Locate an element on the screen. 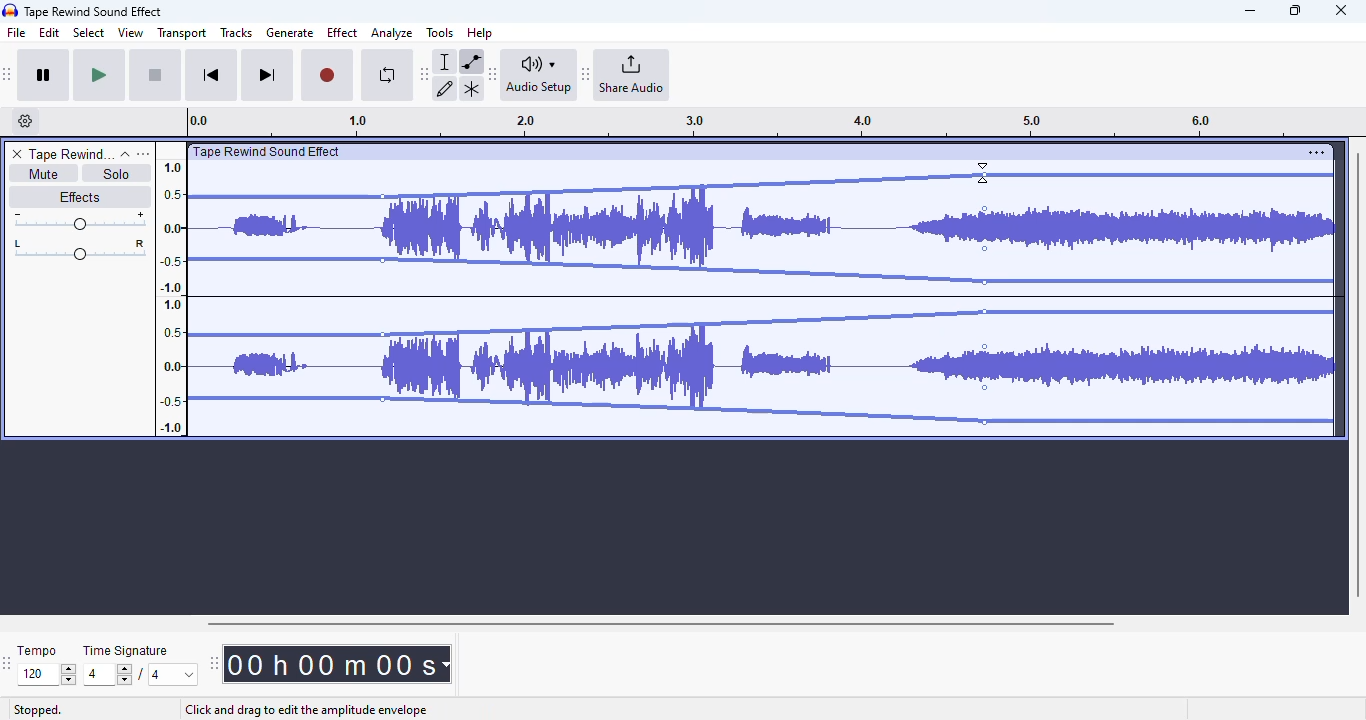  Control point is located at coordinates (985, 209).